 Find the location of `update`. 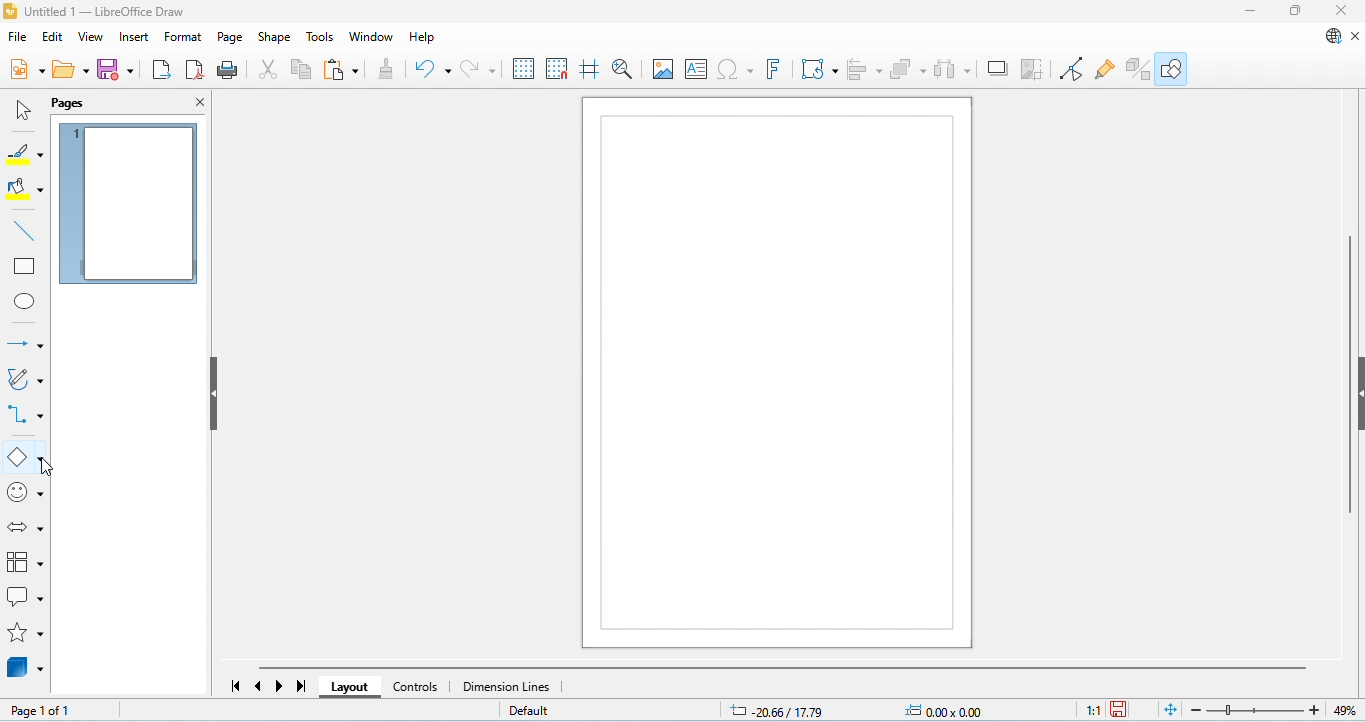

update is located at coordinates (1334, 36).